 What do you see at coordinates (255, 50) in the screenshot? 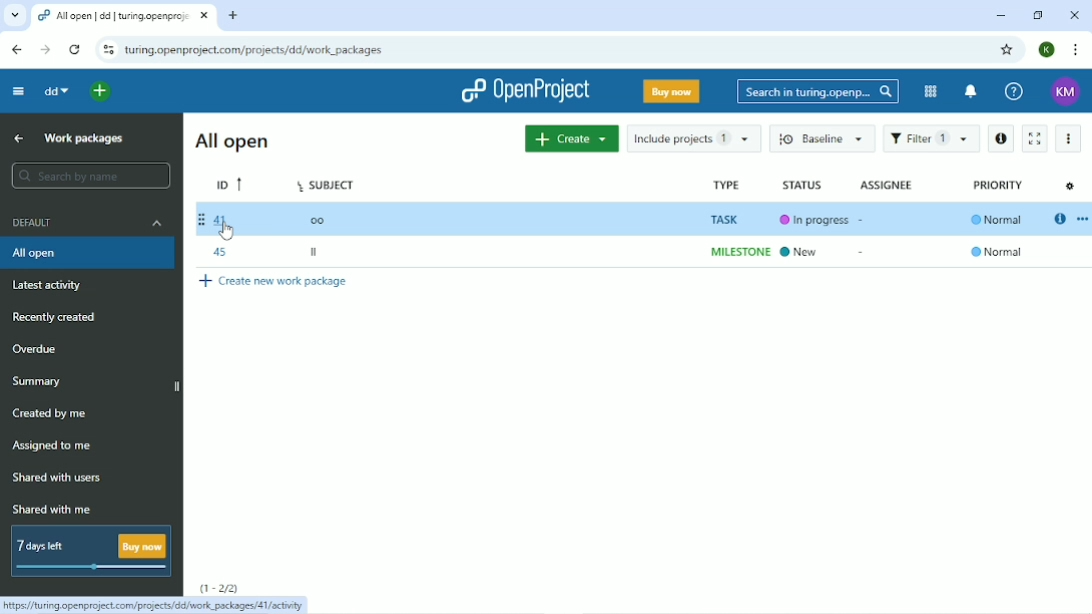
I see `Site` at bounding box center [255, 50].